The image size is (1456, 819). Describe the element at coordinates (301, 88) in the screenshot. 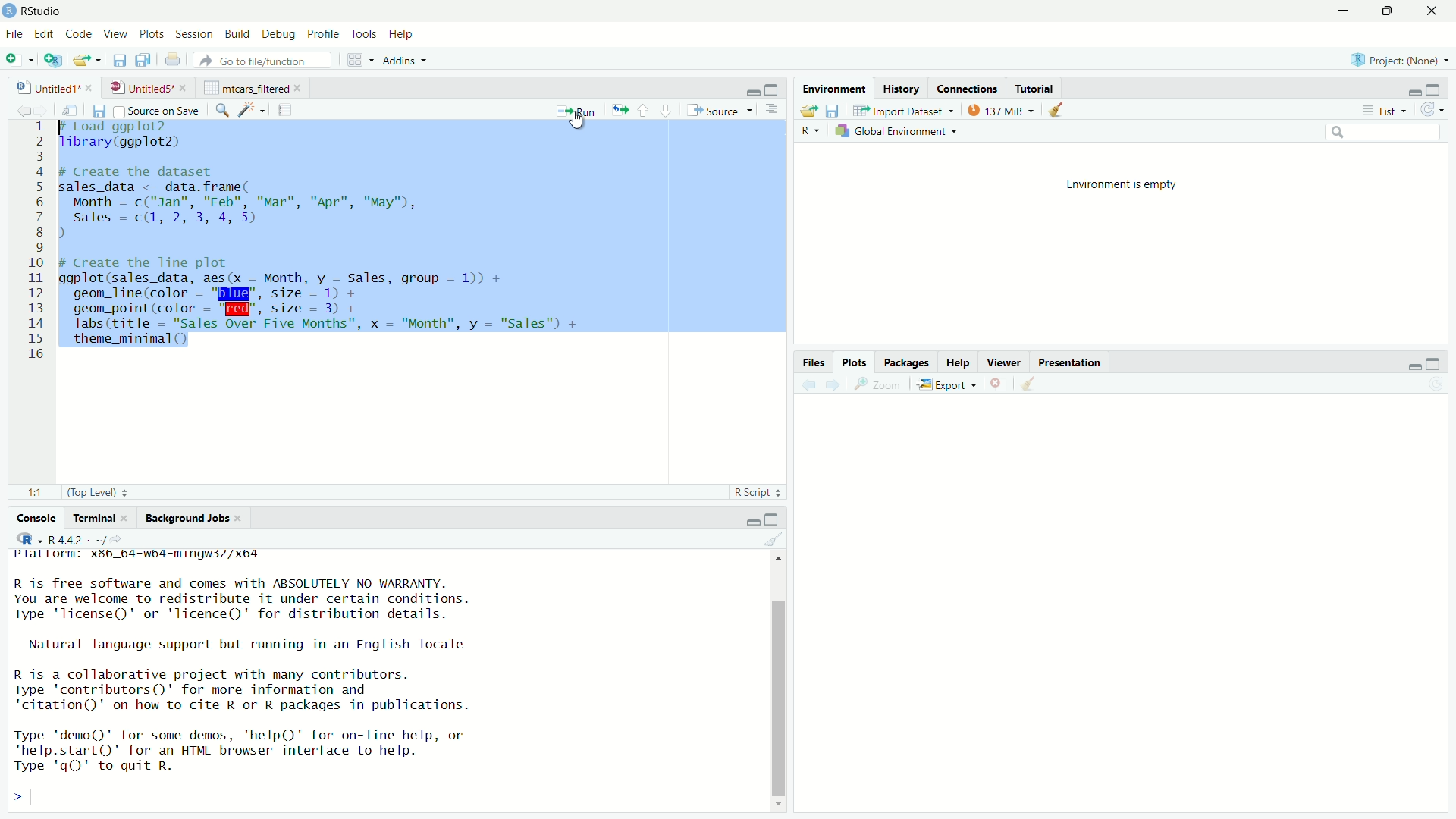

I see `close` at that location.